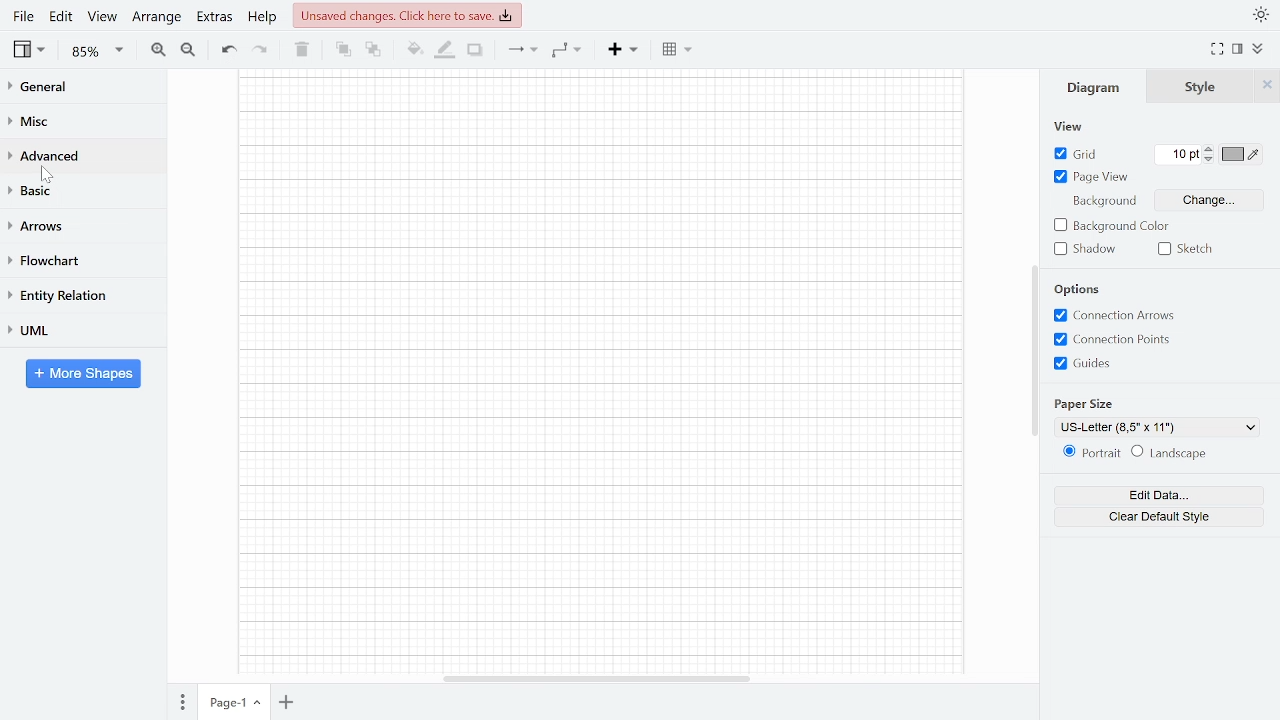 Image resolution: width=1280 pixels, height=720 pixels. Describe the element at coordinates (1242, 154) in the screenshot. I see `Grid color` at that location.